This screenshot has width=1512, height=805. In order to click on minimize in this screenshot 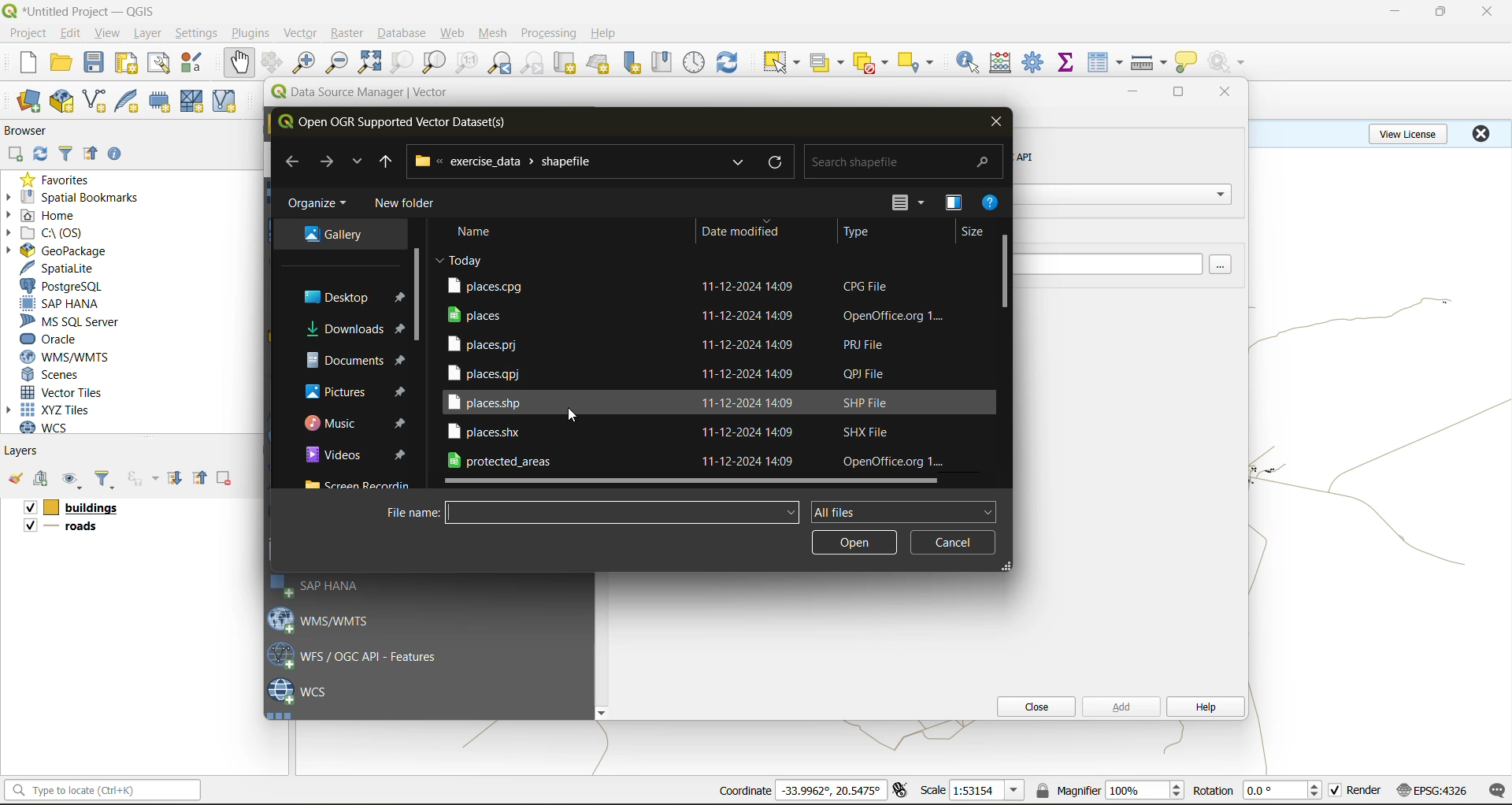, I will do `click(1395, 11)`.